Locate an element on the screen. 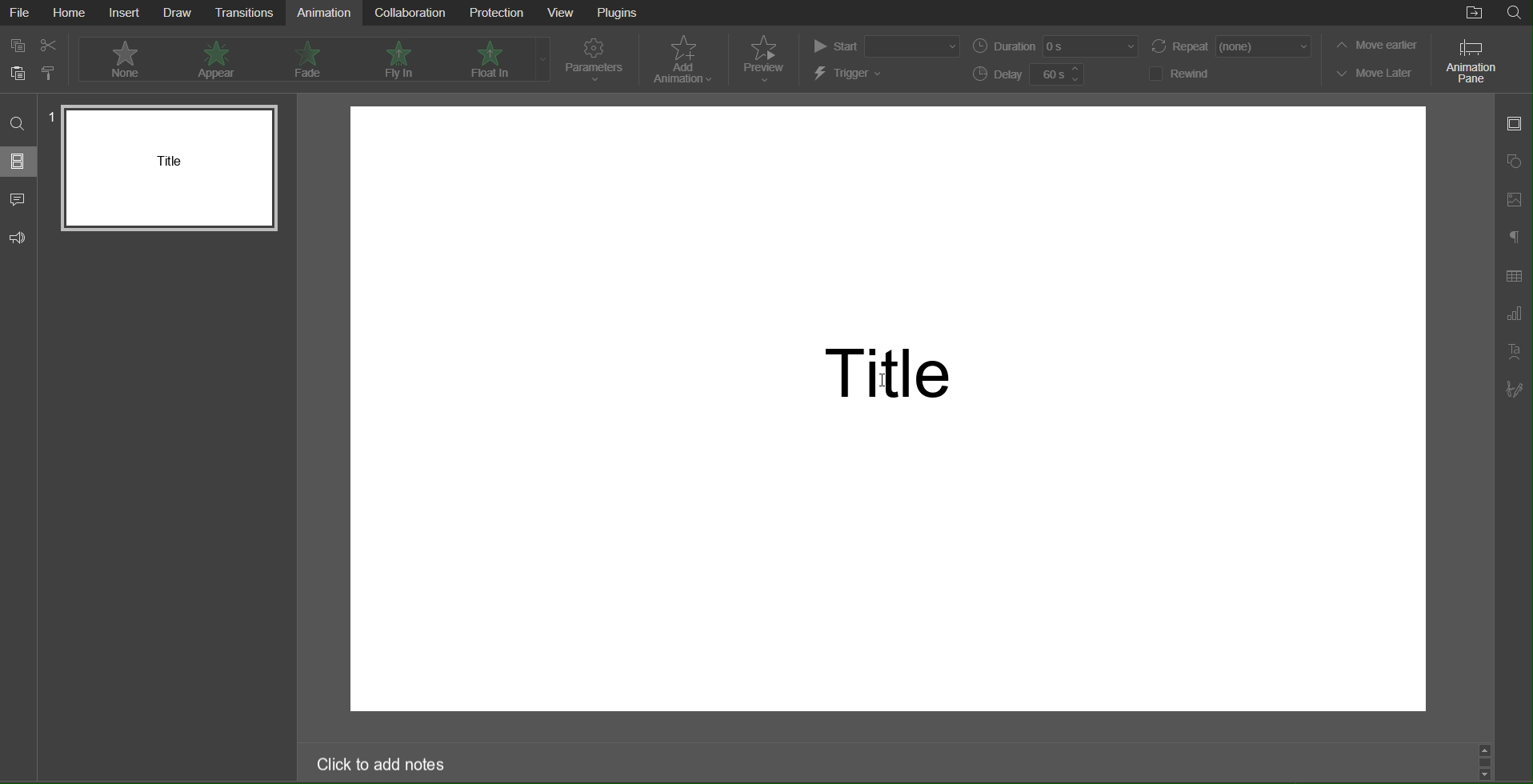  Animation Pane is located at coordinates (1471, 60).